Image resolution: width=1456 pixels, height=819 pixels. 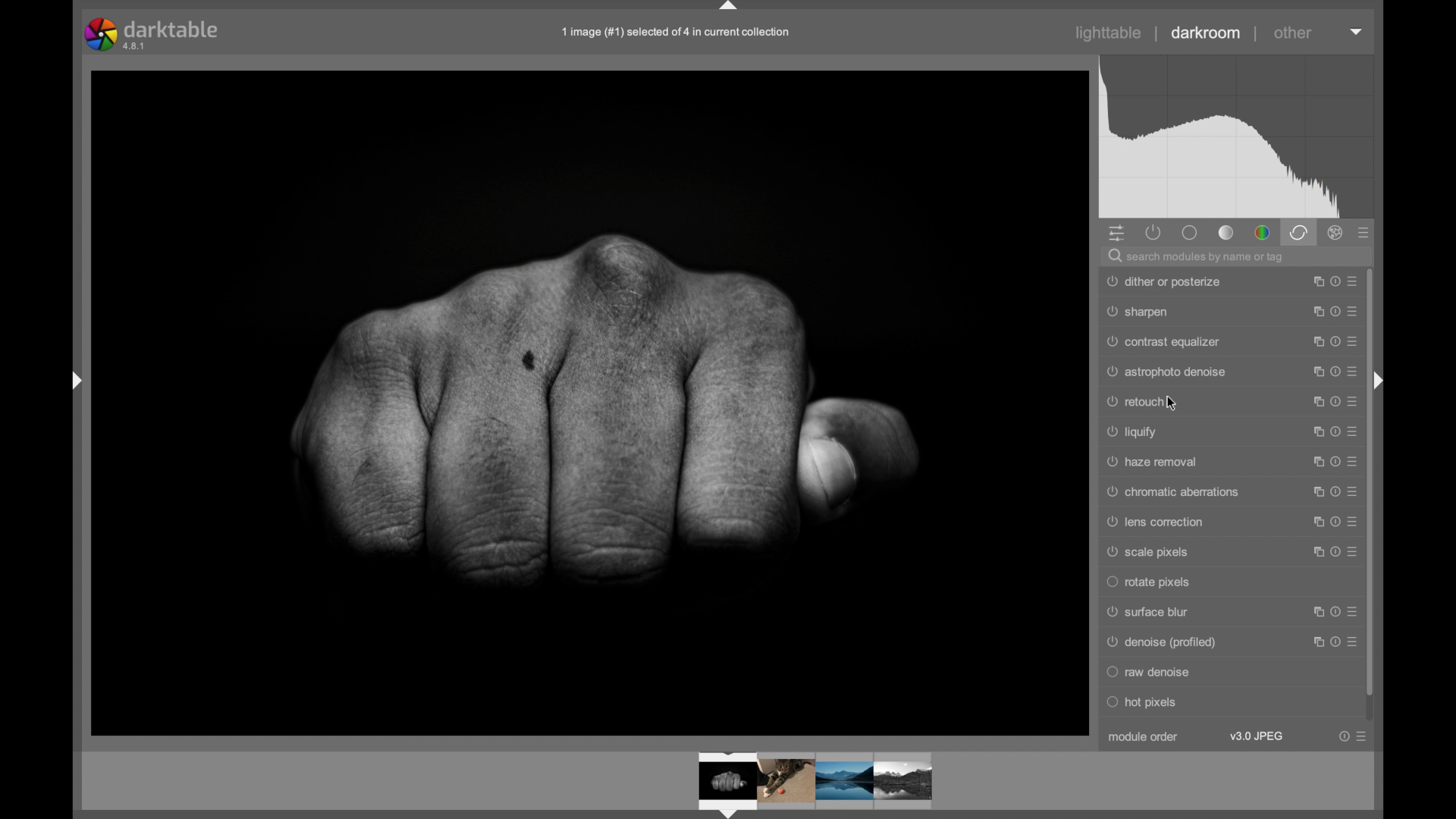 What do you see at coordinates (1150, 582) in the screenshot?
I see `rotate pixels` at bounding box center [1150, 582].